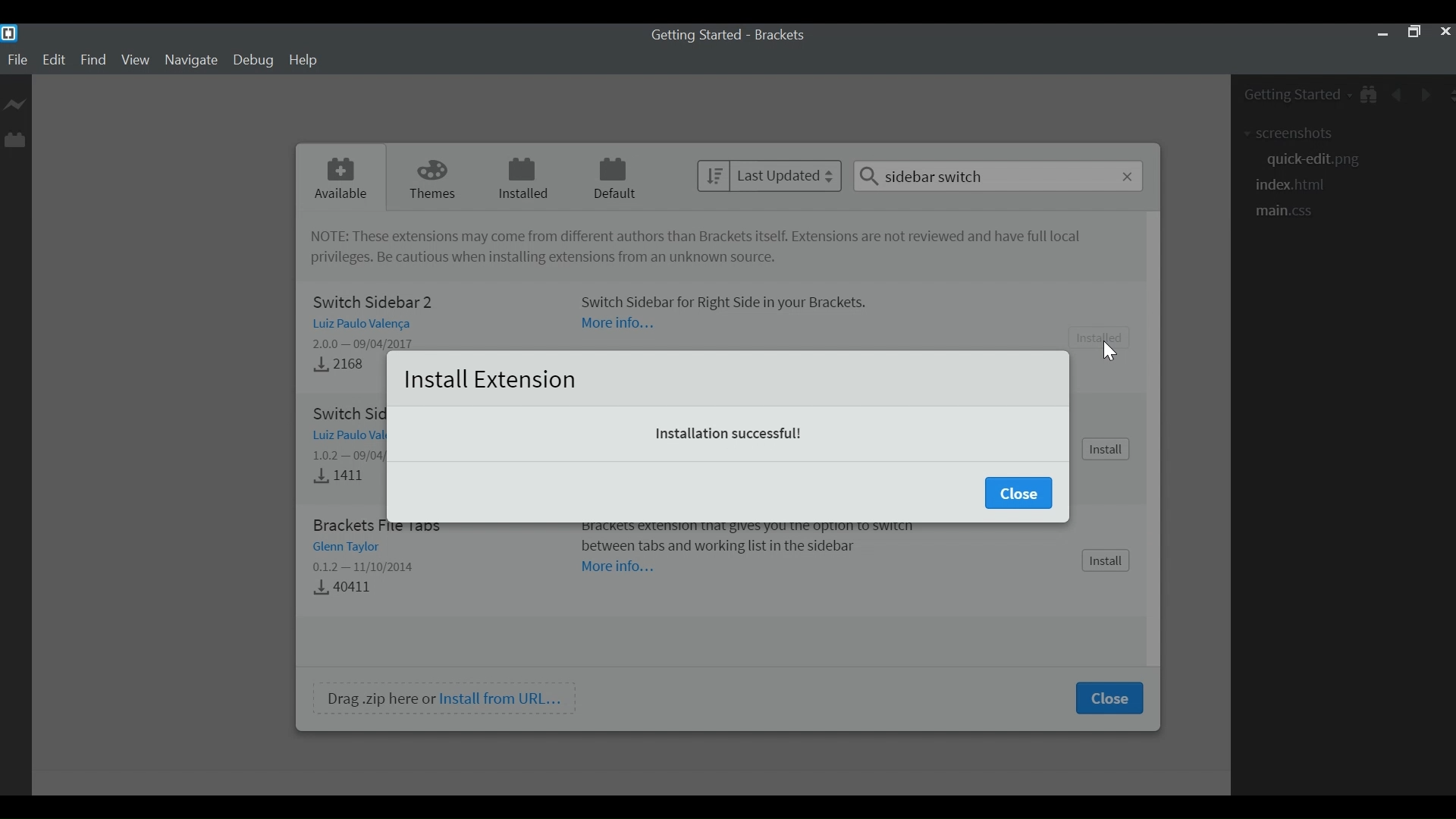 The image size is (1456, 819). What do you see at coordinates (1313, 162) in the screenshot?
I see `quick-edit.png` at bounding box center [1313, 162].